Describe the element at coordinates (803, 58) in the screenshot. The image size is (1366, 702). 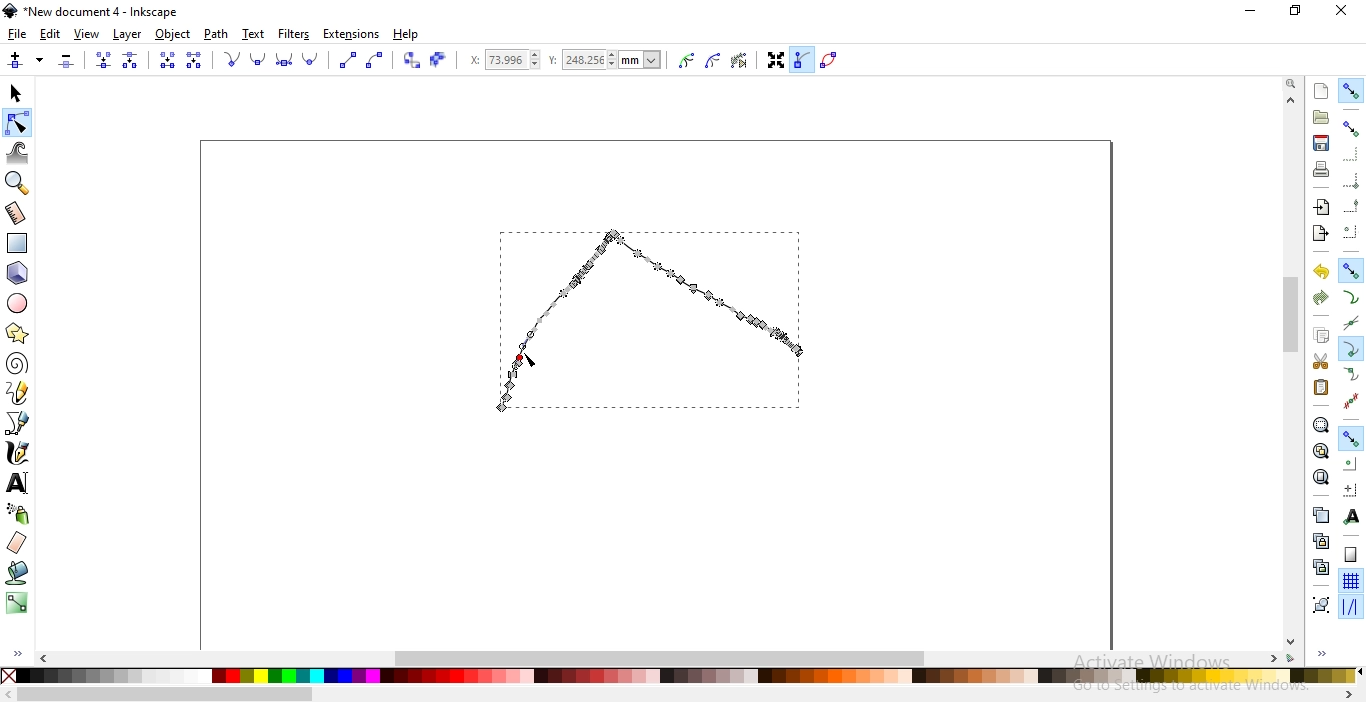
I see `show bezier handle of selected nodes` at that location.